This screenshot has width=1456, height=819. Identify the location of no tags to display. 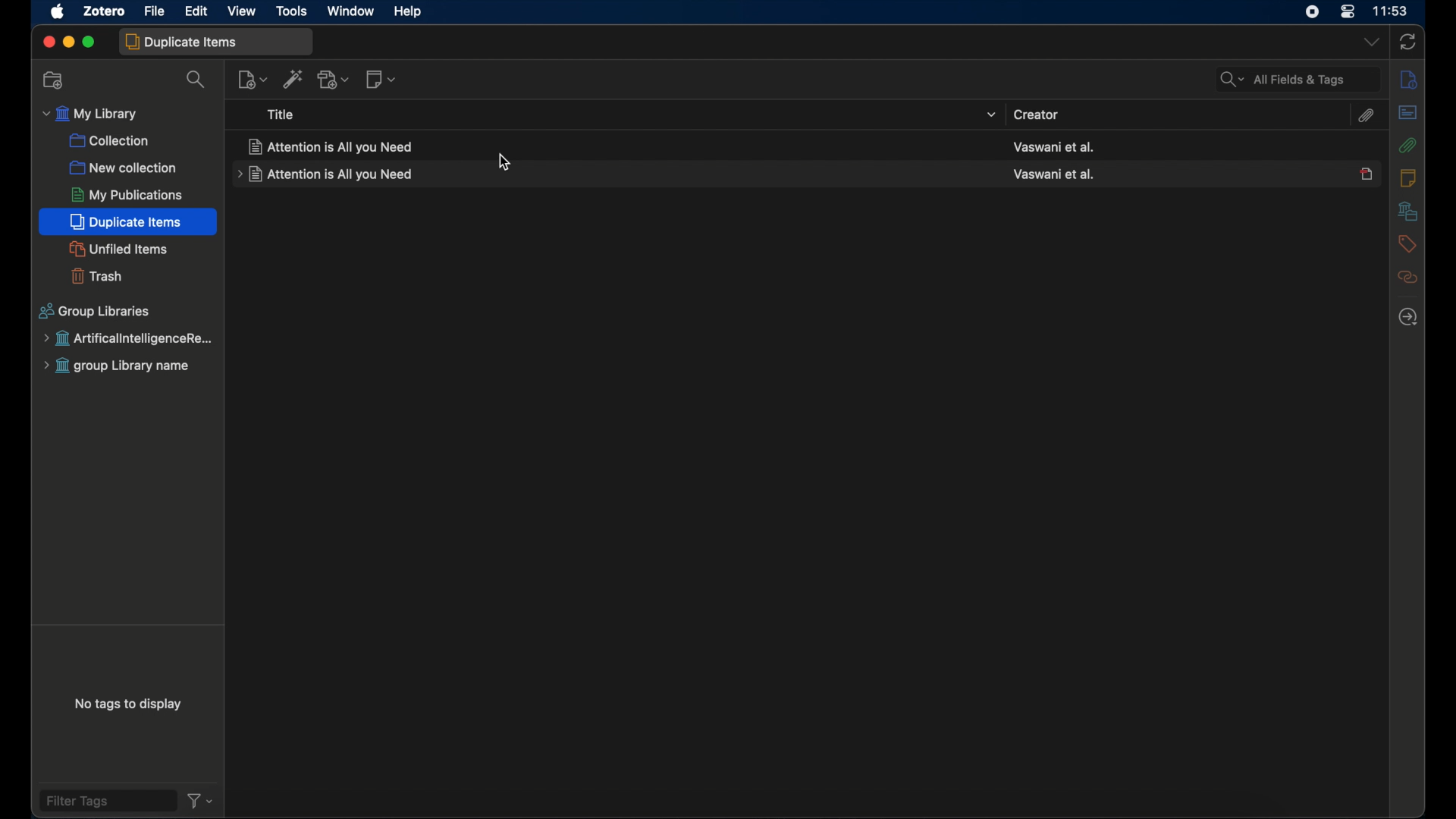
(131, 705).